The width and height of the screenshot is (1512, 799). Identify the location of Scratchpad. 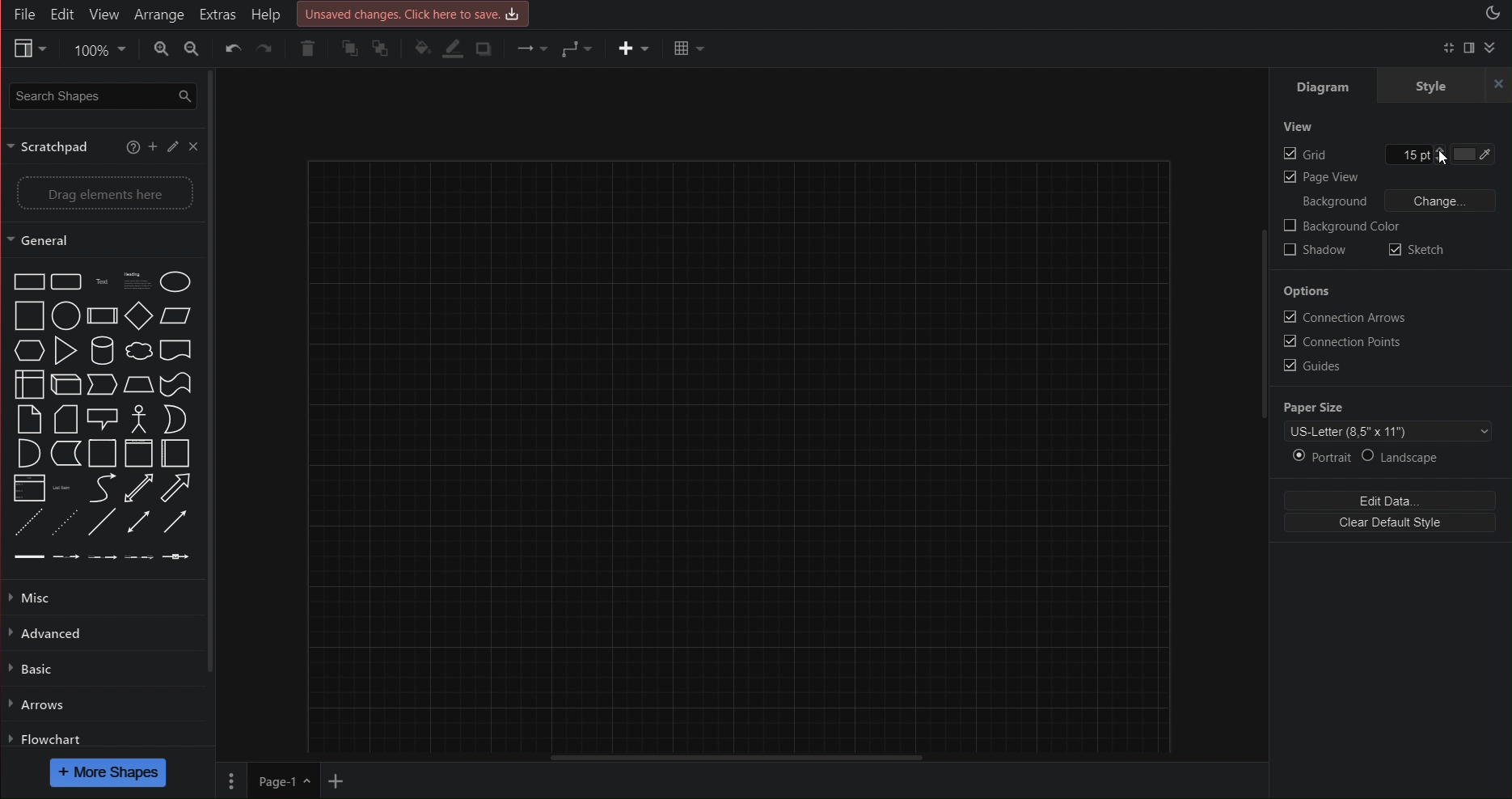
(54, 144).